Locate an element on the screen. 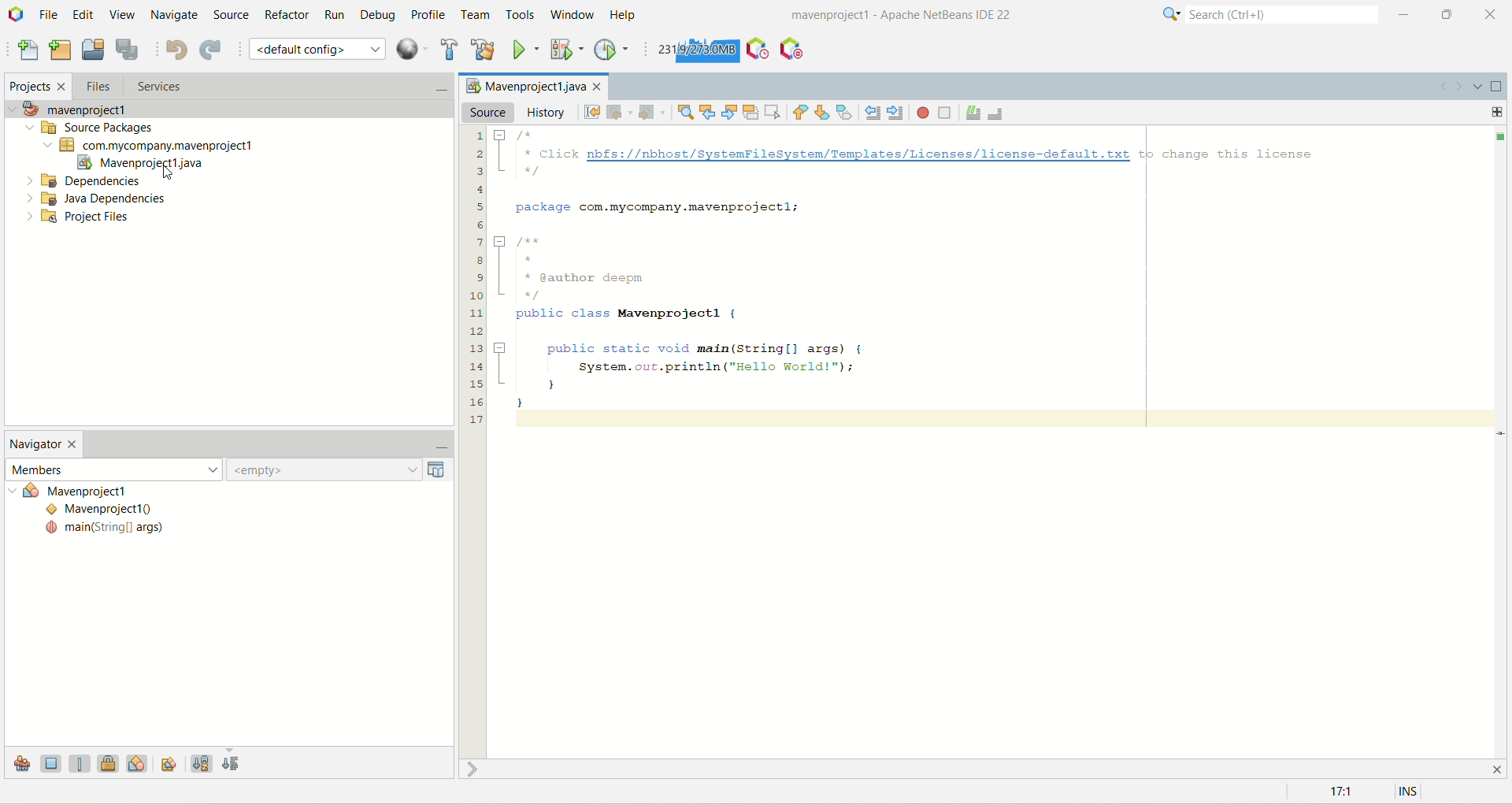 The height and width of the screenshot is (805, 1512). show static members is located at coordinates (83, 762).